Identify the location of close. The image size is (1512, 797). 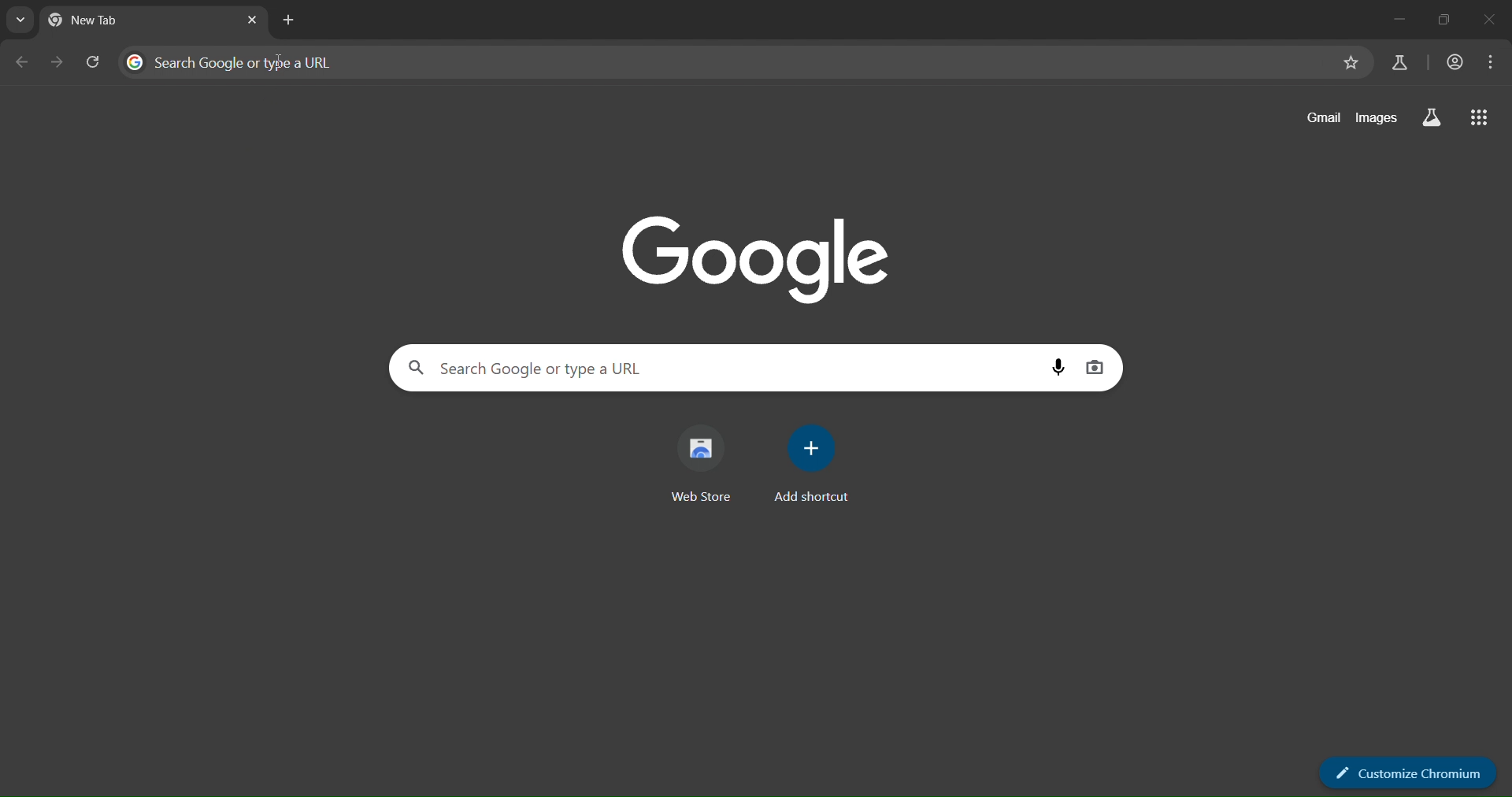
(1491, 20).